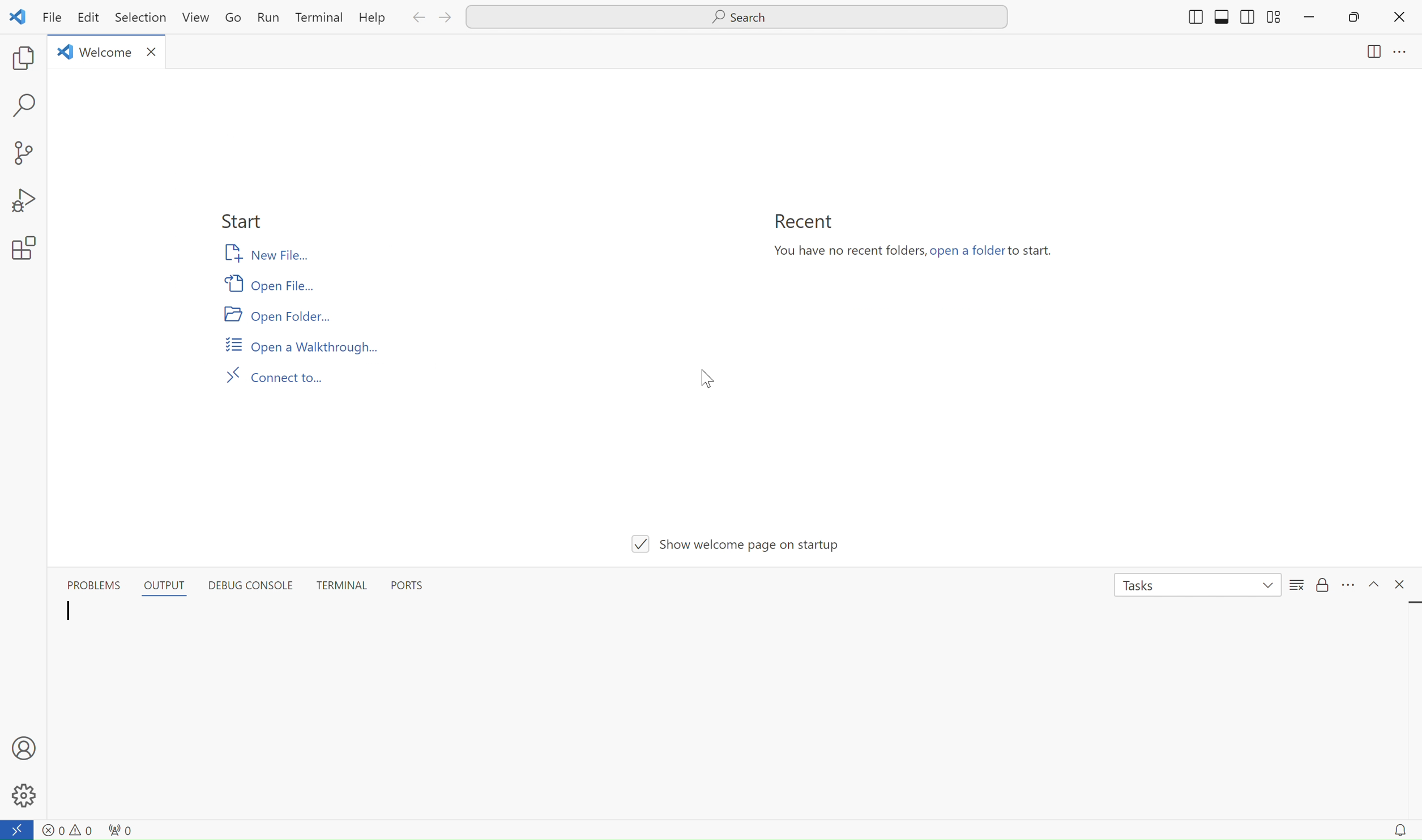 Image resolution: width=1422 pixels, height=840 pixels. Describe the element at coordinates (420, 19) in the screenshot. I see `back` at that location.